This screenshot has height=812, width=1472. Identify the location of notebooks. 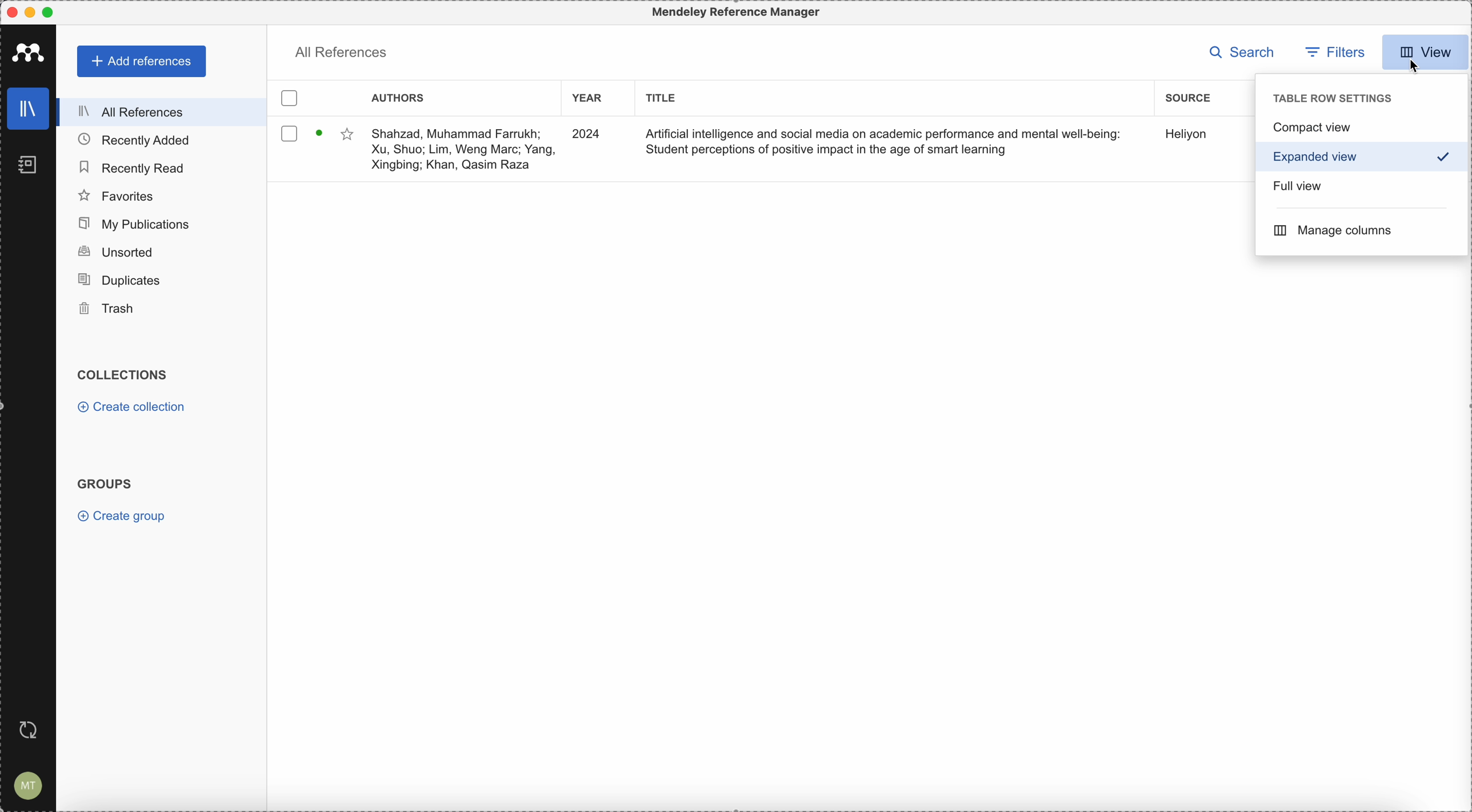
(29, 166).